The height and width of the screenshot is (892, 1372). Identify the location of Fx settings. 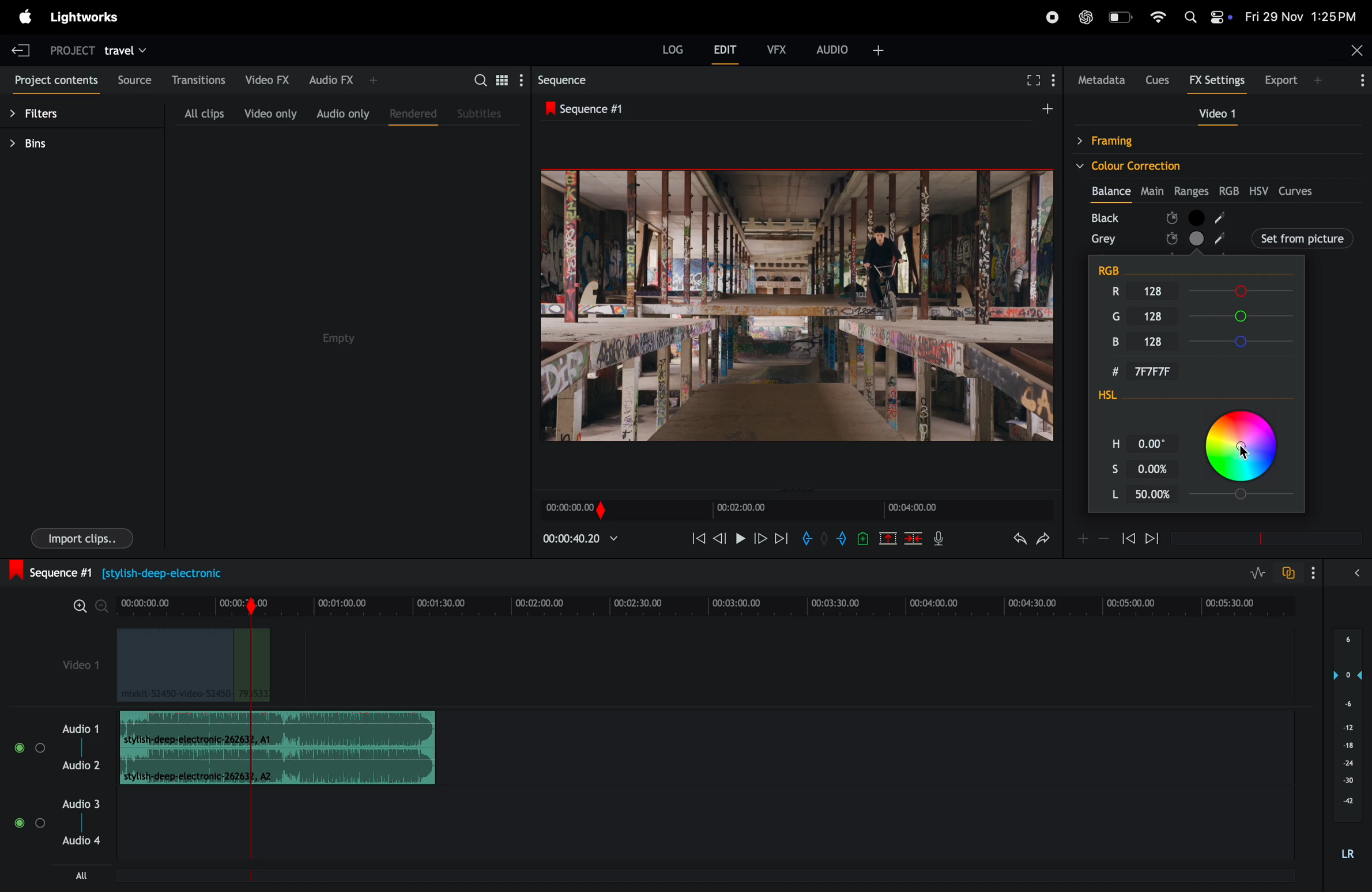
(1217, 82).